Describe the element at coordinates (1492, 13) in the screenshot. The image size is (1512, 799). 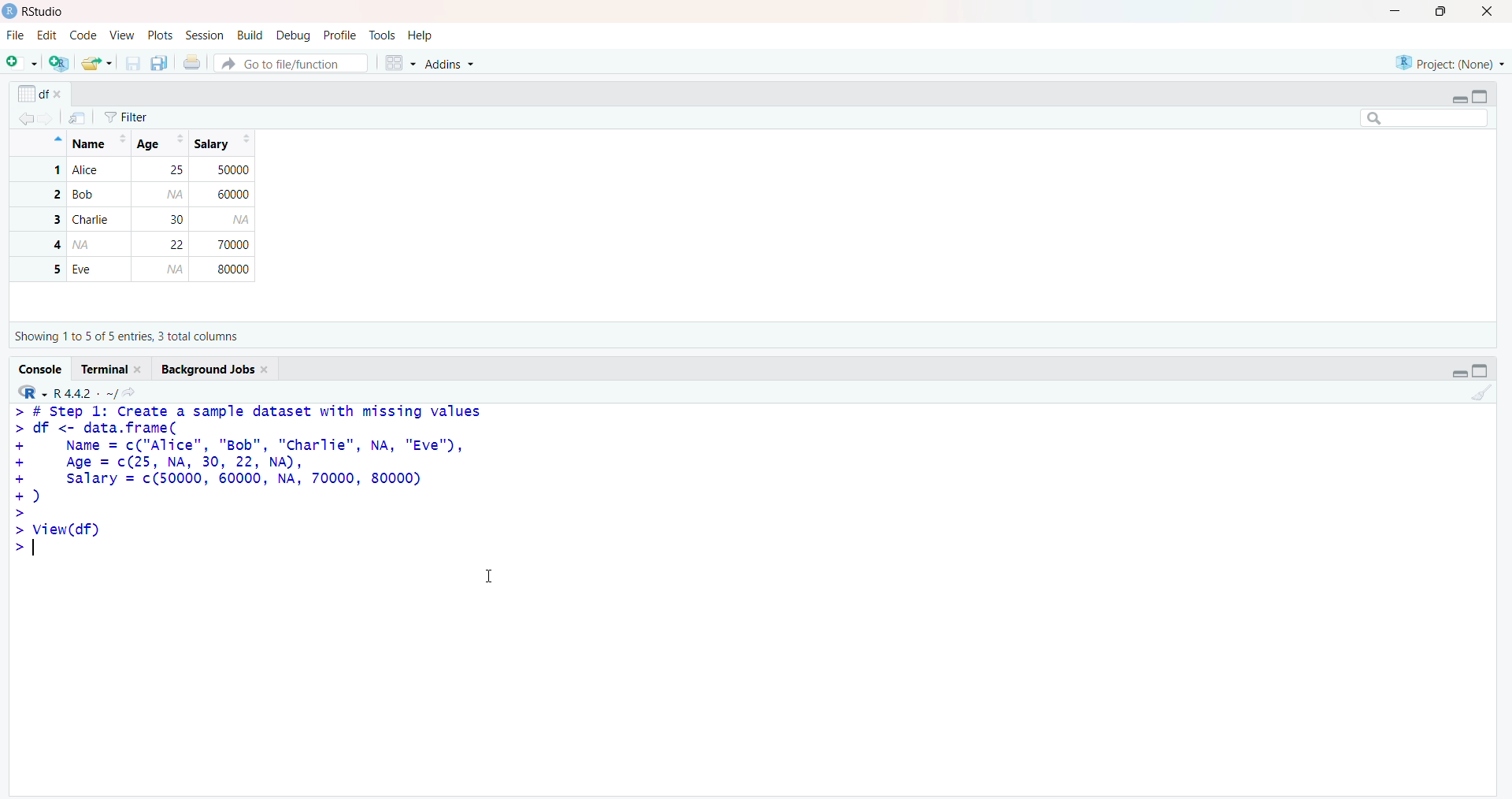
I see `Close` at that location.